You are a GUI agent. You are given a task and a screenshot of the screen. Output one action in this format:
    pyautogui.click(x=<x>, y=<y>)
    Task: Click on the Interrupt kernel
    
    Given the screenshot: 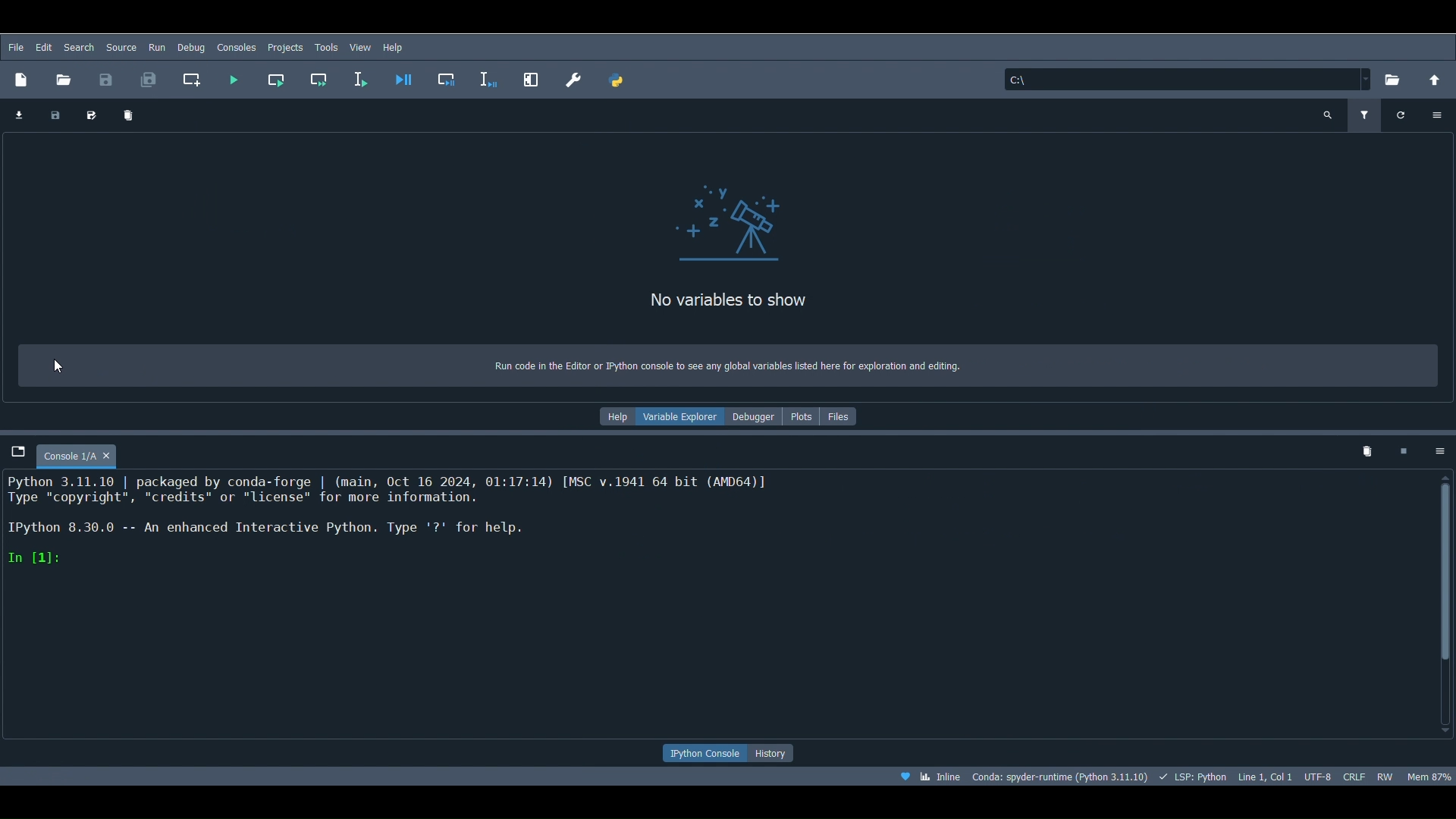 What is the action you would take?
    pyautogui.click(x=1404, y=450)
    